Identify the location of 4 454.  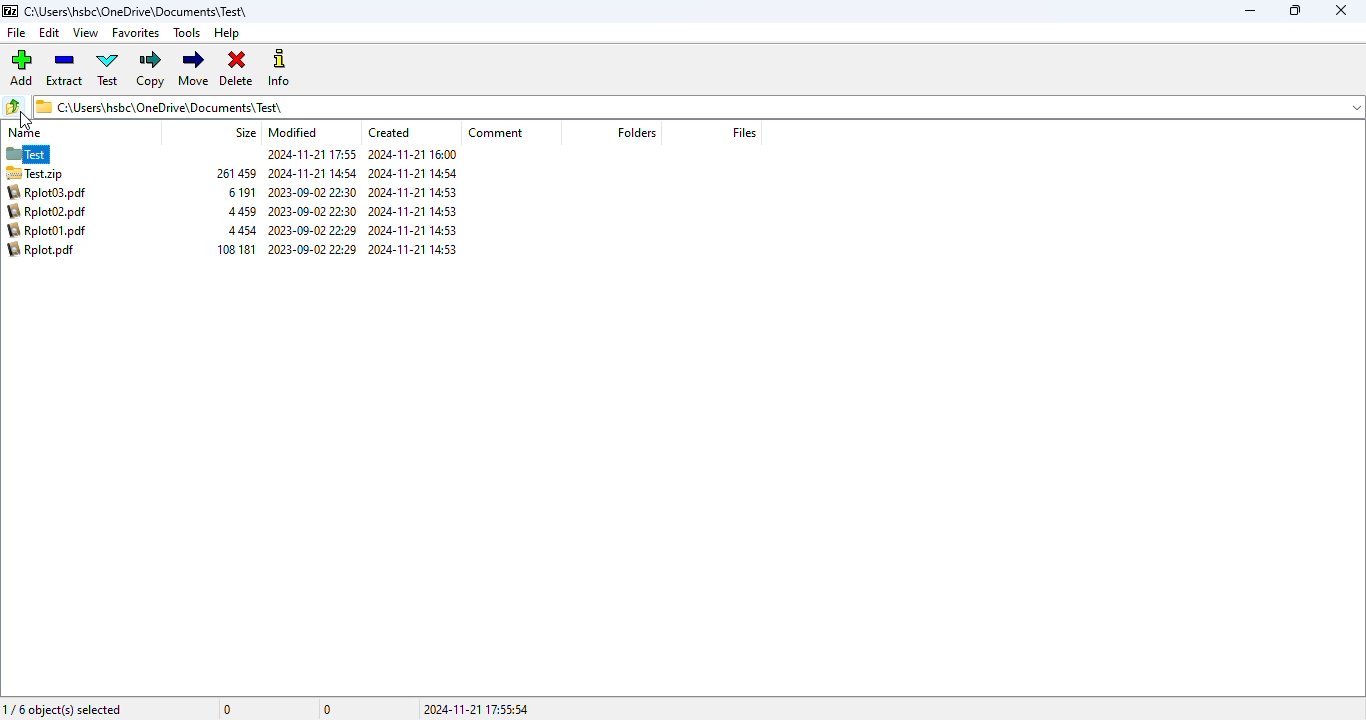
(244, 230).